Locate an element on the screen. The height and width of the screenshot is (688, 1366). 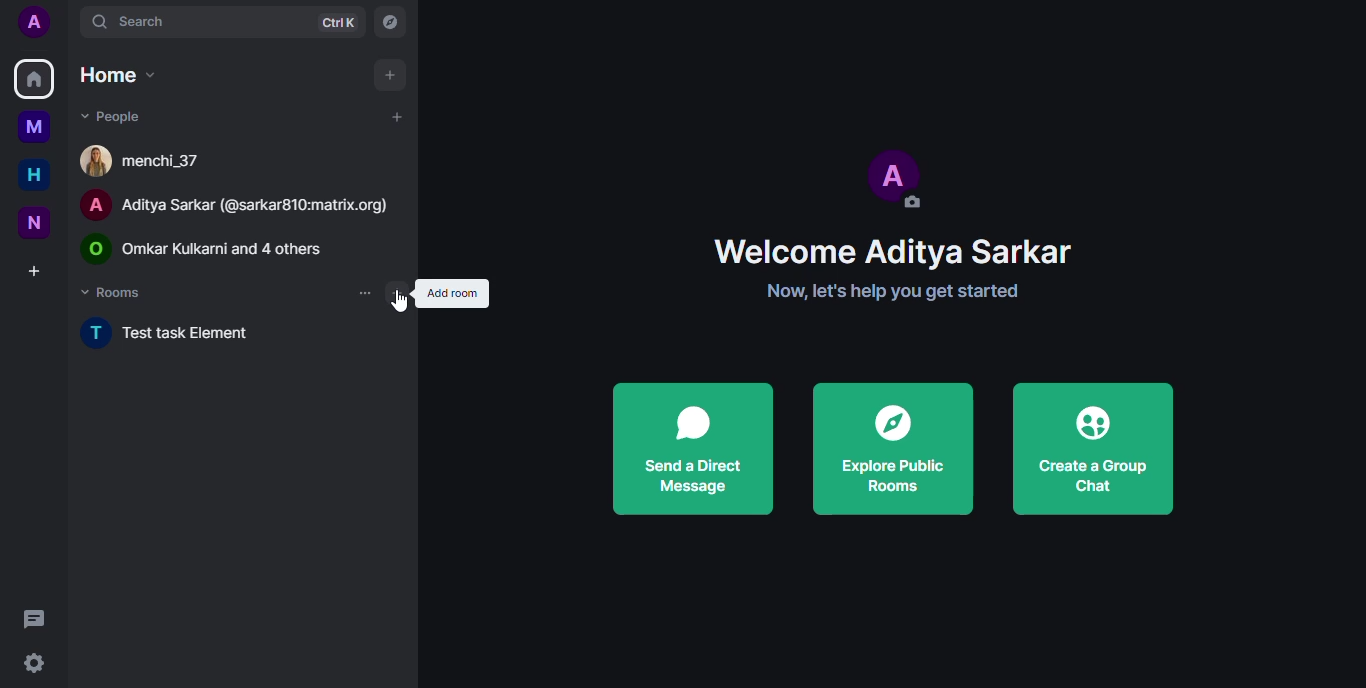
profile is located at coordinates (33, 21).